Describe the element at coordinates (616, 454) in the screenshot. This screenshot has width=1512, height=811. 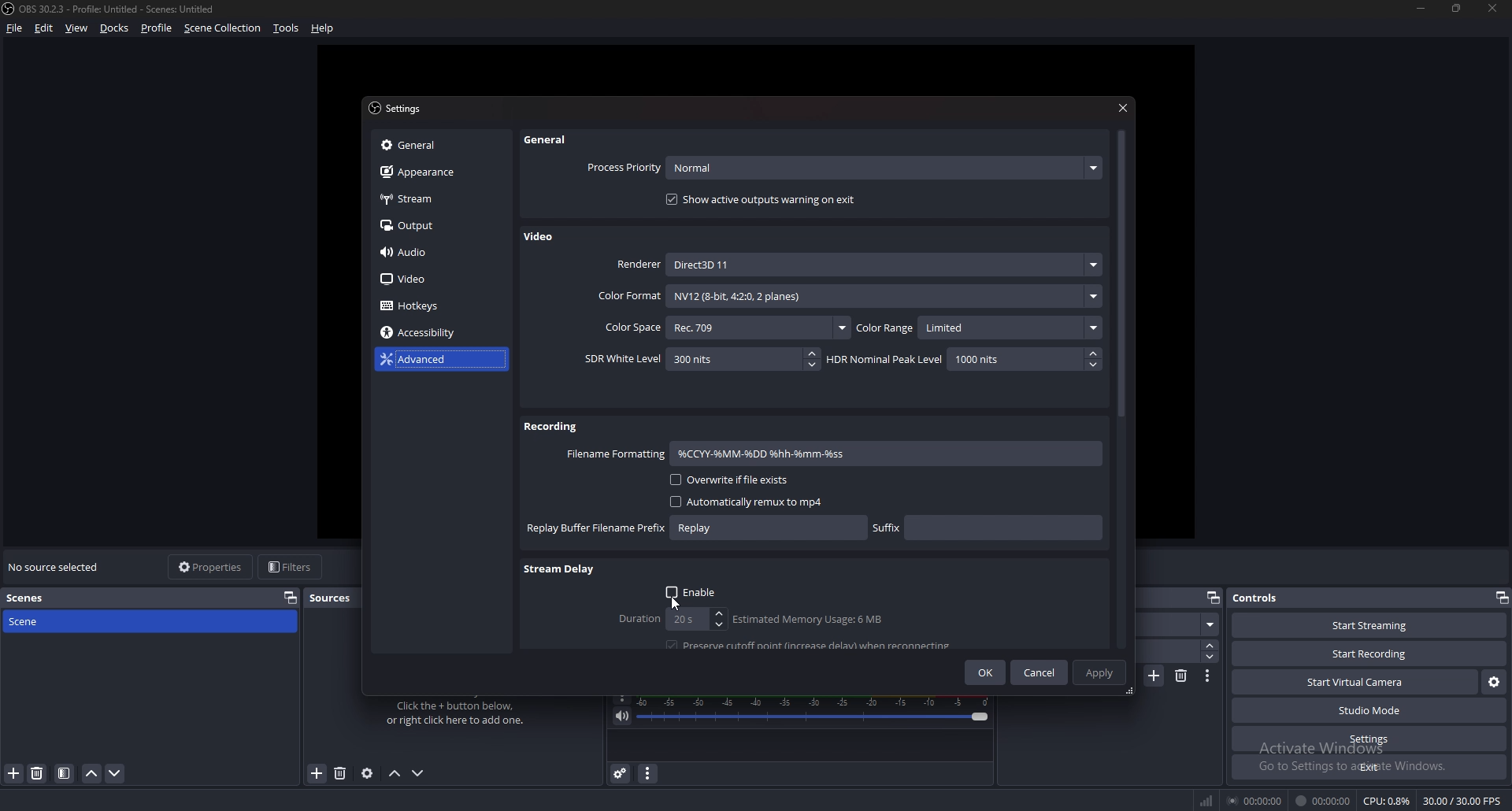
I see `Filename formatting` at that location.